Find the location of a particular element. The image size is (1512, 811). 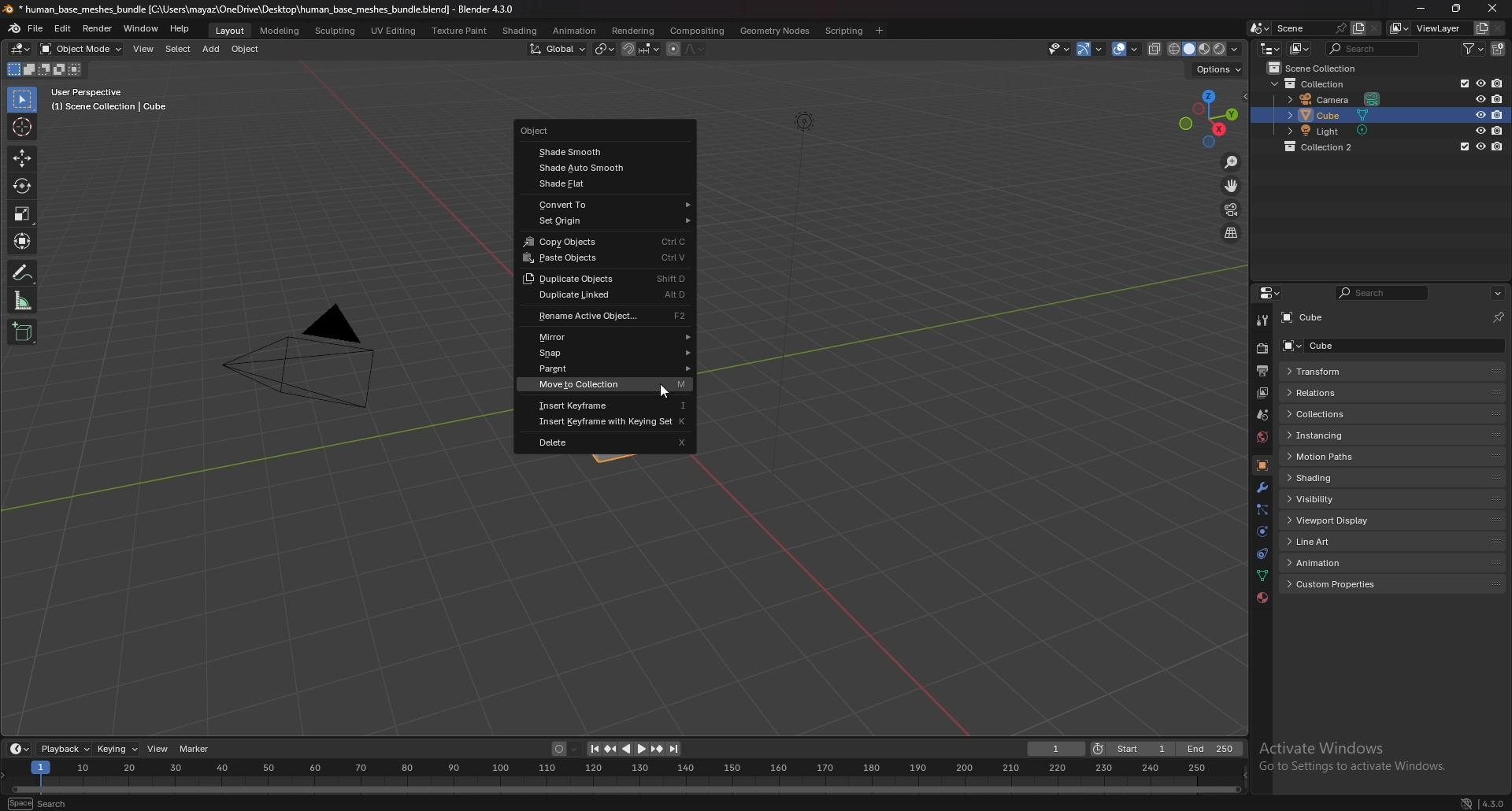

version is located at coordinates (1493, 801).